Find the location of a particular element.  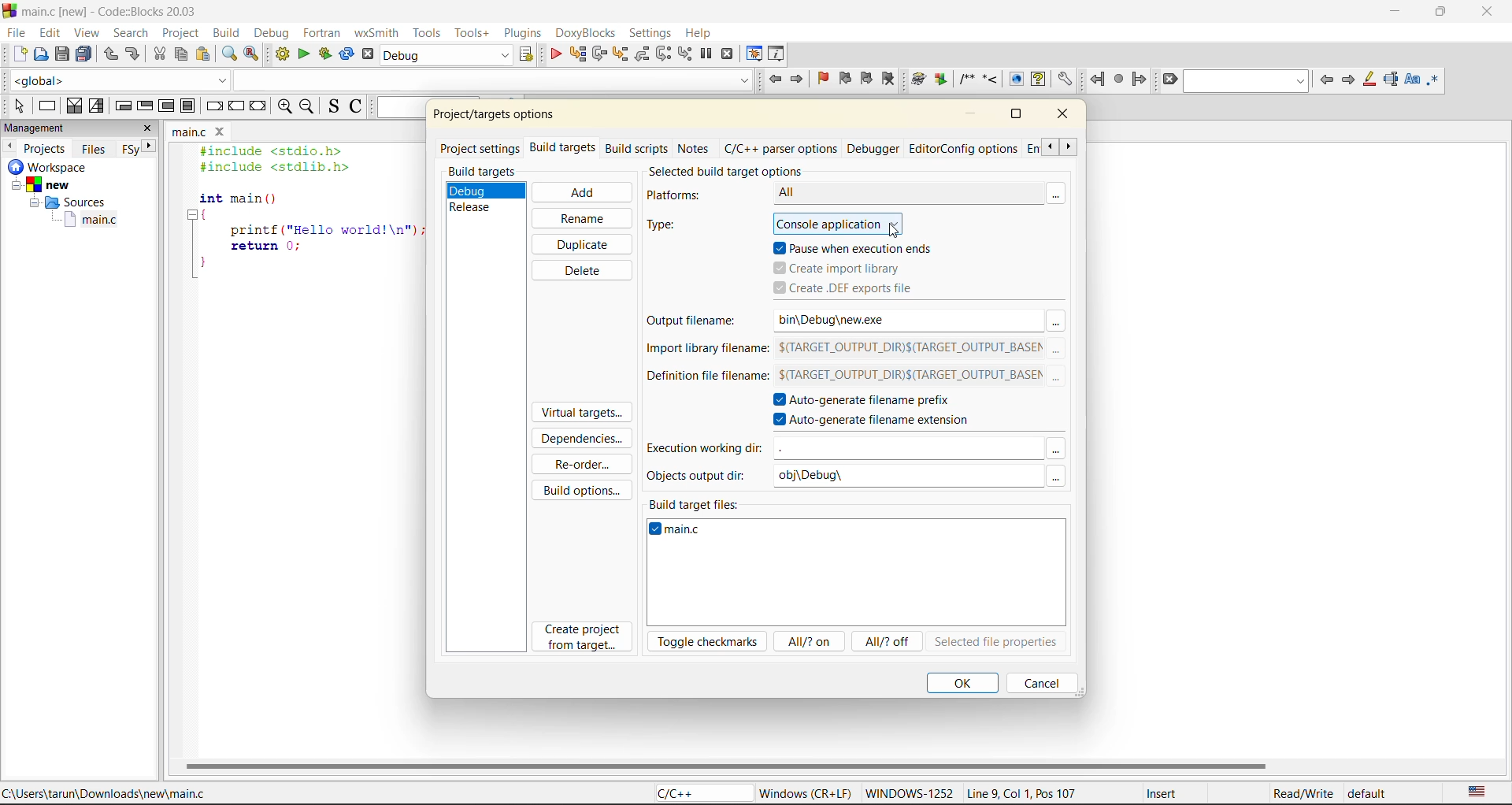

use regex is located at coordinates (1436, 80).